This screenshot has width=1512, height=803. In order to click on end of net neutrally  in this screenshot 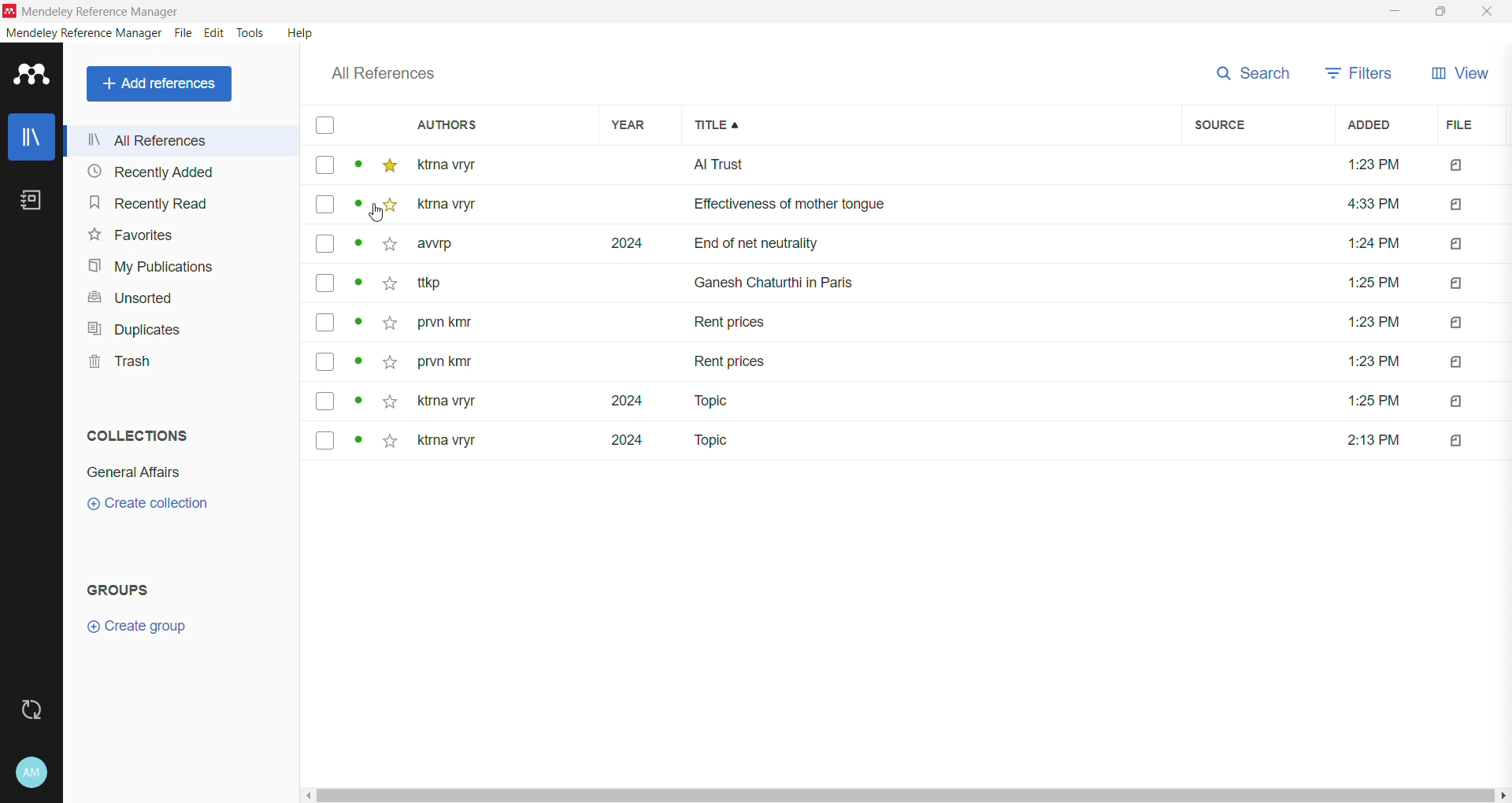, I will do `click(956, 245)`.